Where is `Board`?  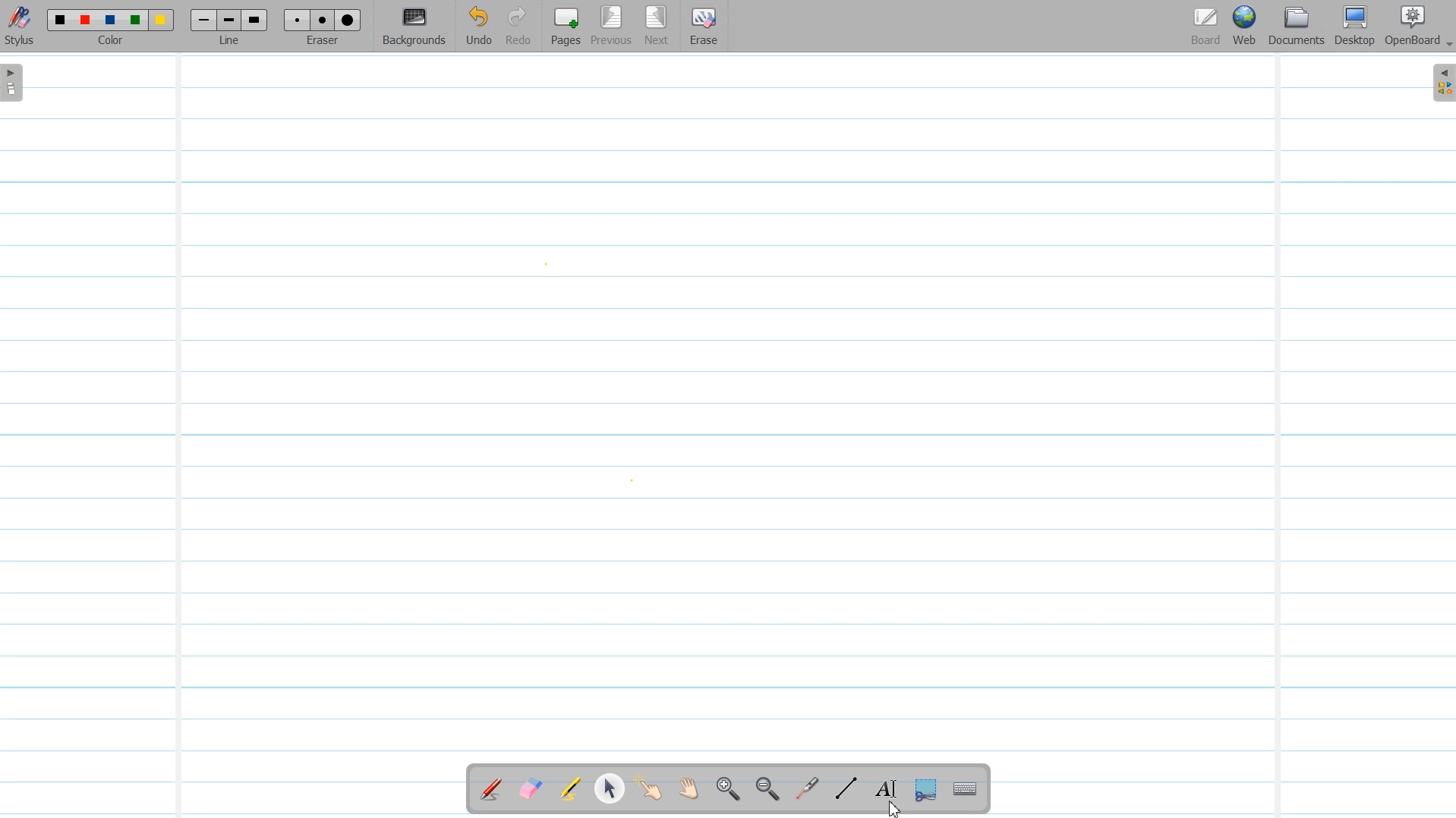 Board is located at coordinates (1205, 27).